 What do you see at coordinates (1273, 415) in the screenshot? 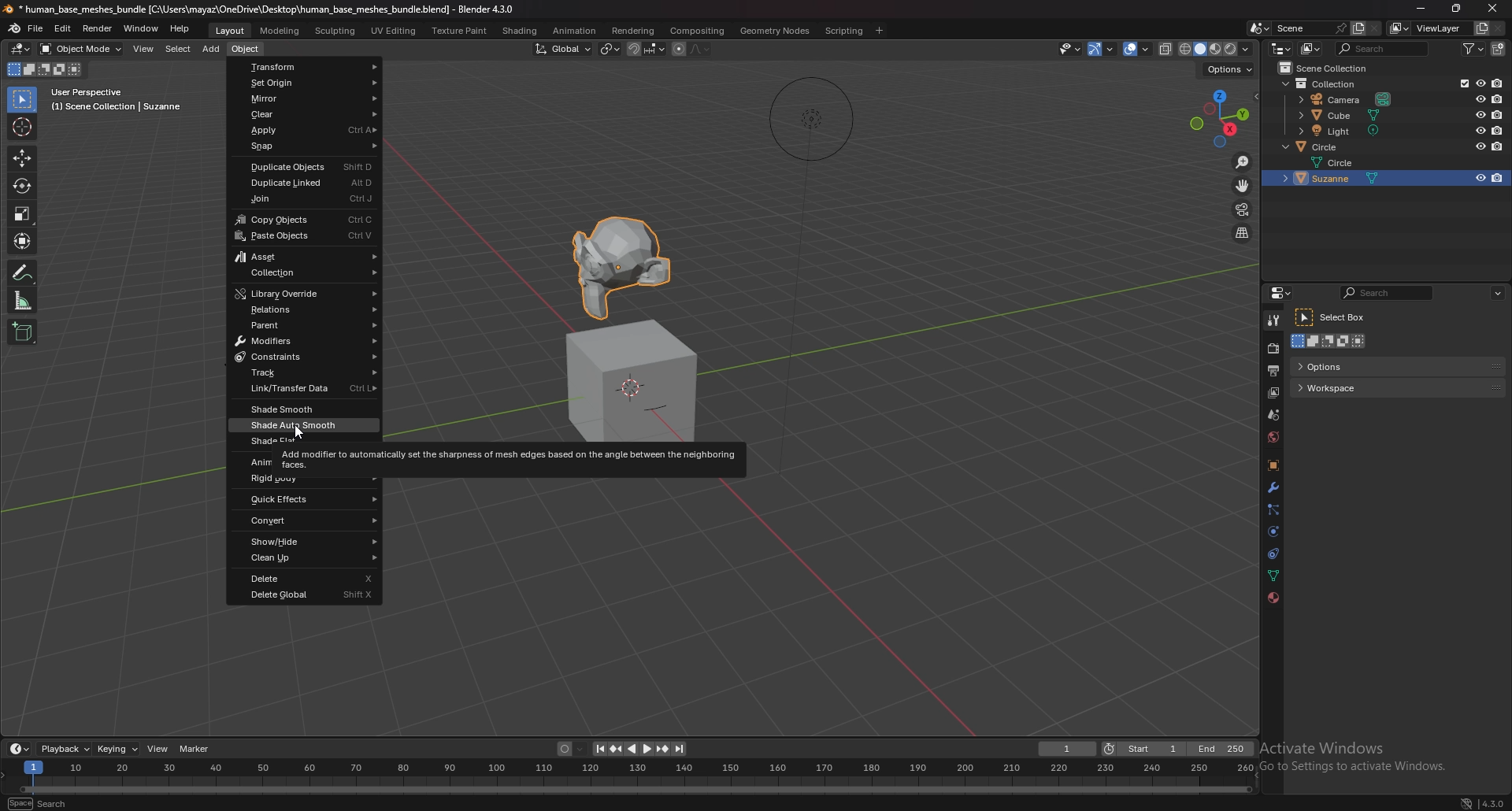
I see `scene` at bounding box center [1273, 415].